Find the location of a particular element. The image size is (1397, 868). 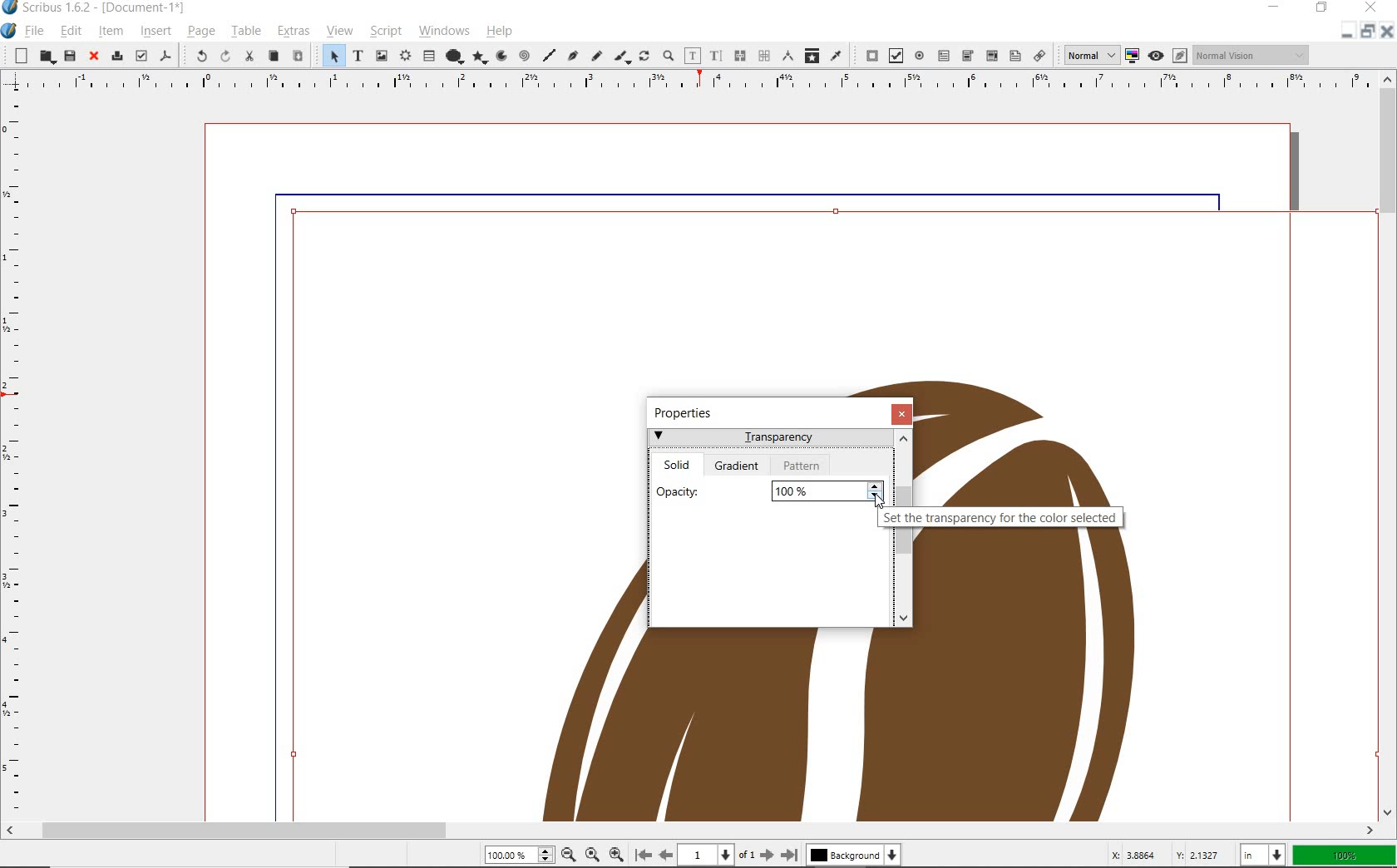

close is located at coordinates (93, 57).